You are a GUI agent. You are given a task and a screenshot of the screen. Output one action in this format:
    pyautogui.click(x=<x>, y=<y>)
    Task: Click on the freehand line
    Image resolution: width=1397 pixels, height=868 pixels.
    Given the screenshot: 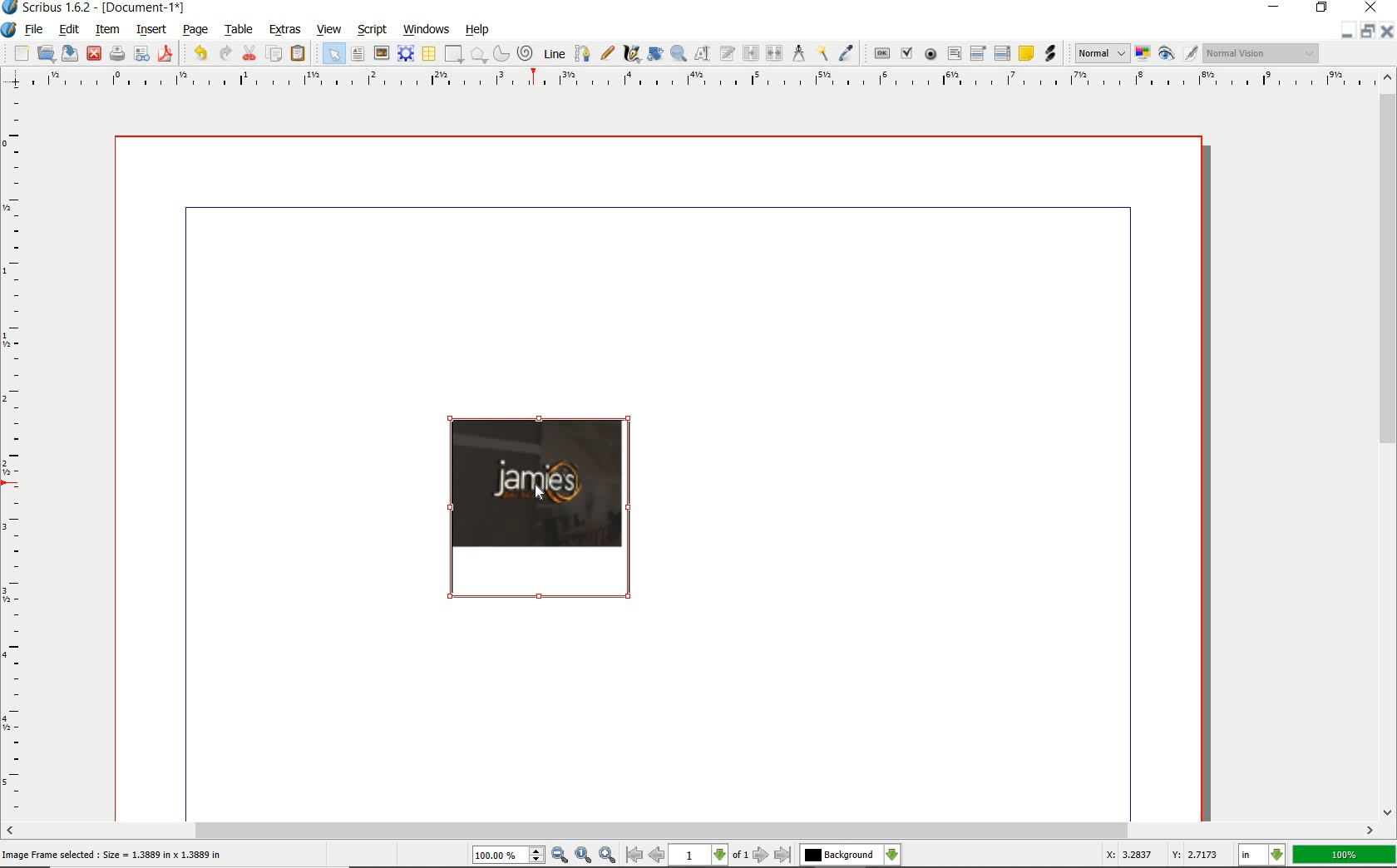 What is the action you would take?
    pyautogui.click(x=606, y=55)
    